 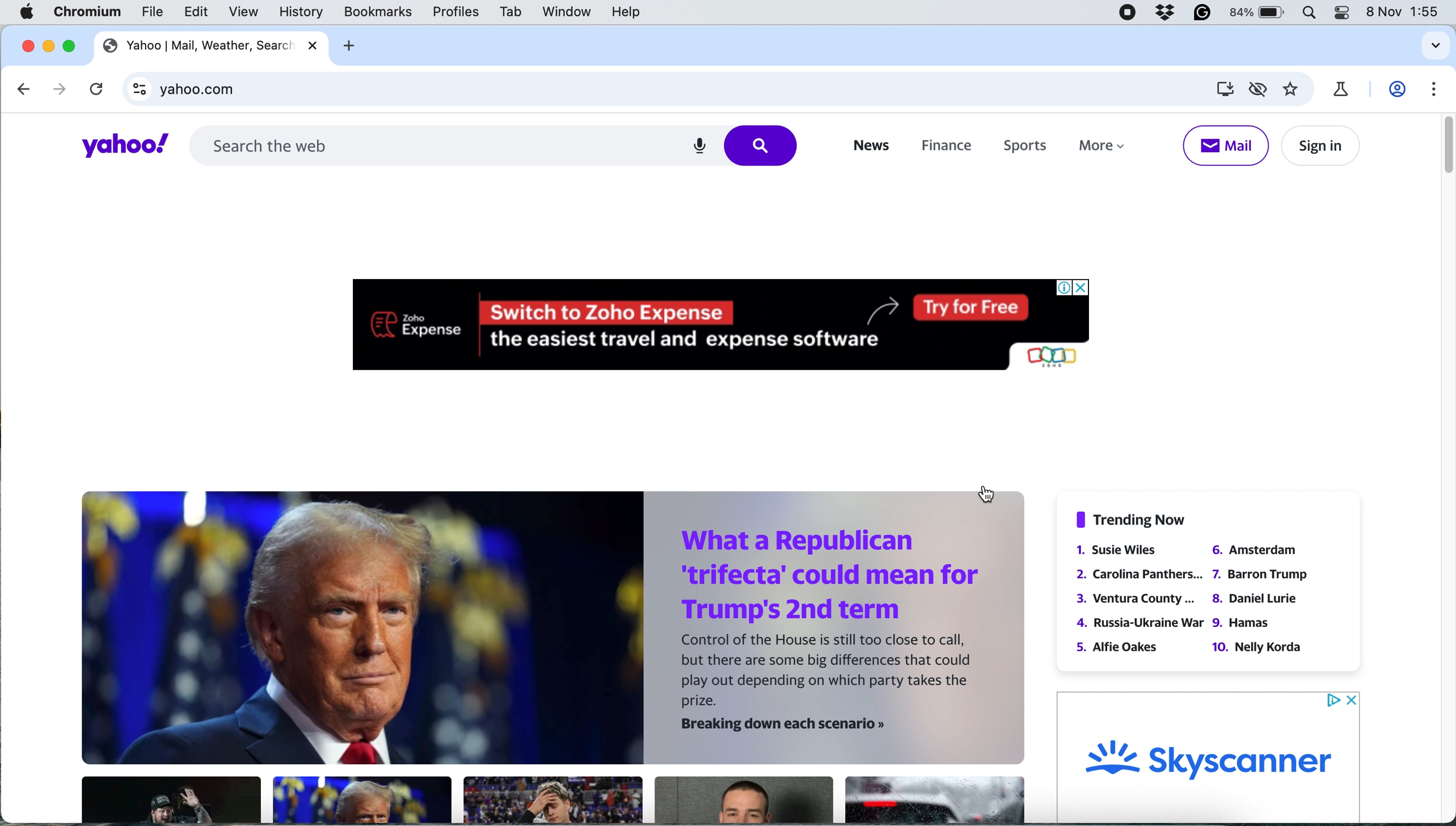 What do you see at coordinates (1260, 575) in the screenshot?
I see `Barron` at bounding box center [1260, 575].